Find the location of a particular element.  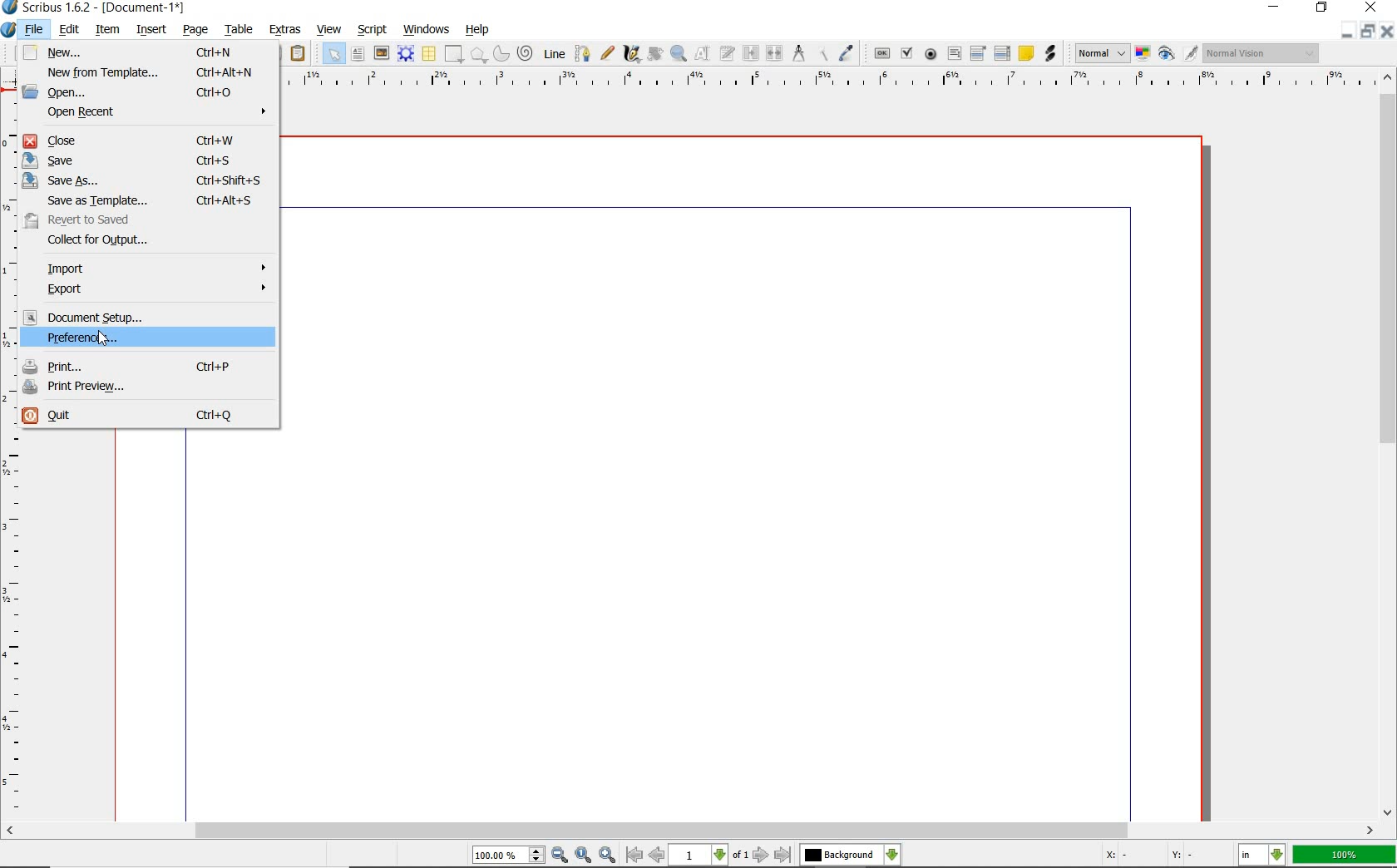

minimize is located at coordinates (1348, 33).